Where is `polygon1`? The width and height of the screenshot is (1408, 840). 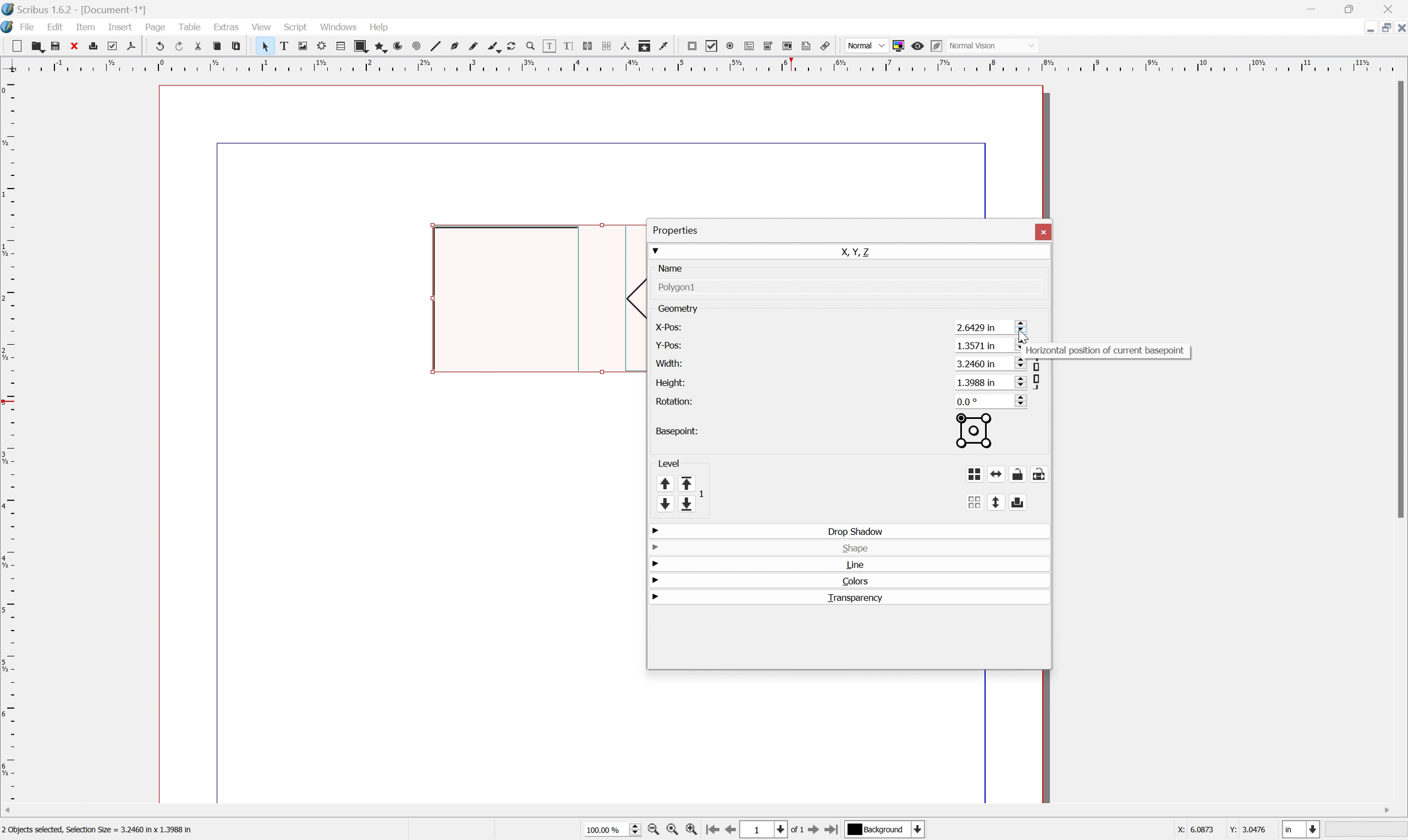
polygon1 is located at coordinates (679, 289).